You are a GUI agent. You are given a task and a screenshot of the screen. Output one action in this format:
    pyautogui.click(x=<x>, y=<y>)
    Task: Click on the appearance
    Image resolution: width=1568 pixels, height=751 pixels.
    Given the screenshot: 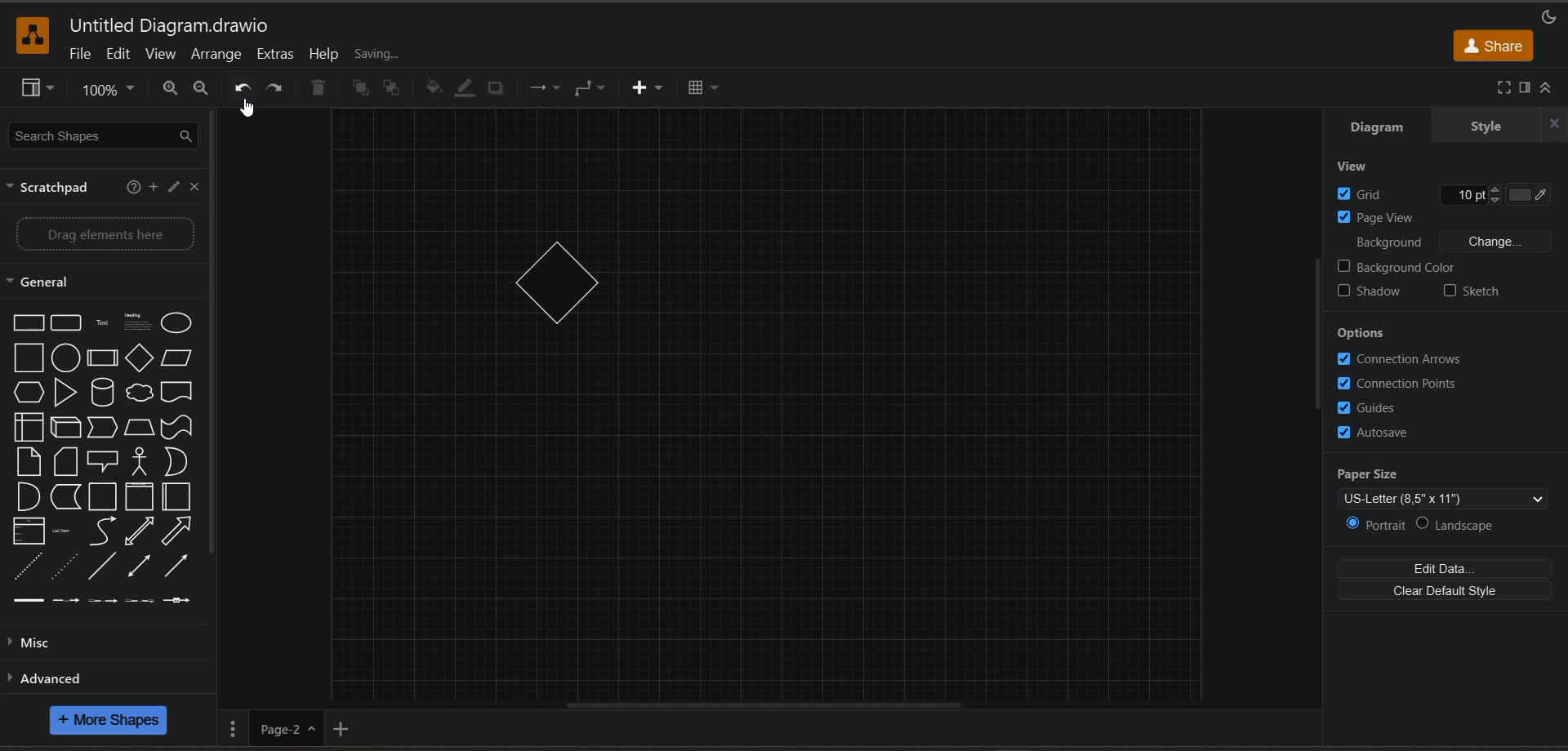 What is the action you would take?
    pyautogui.click(x=1549, y=18)
    